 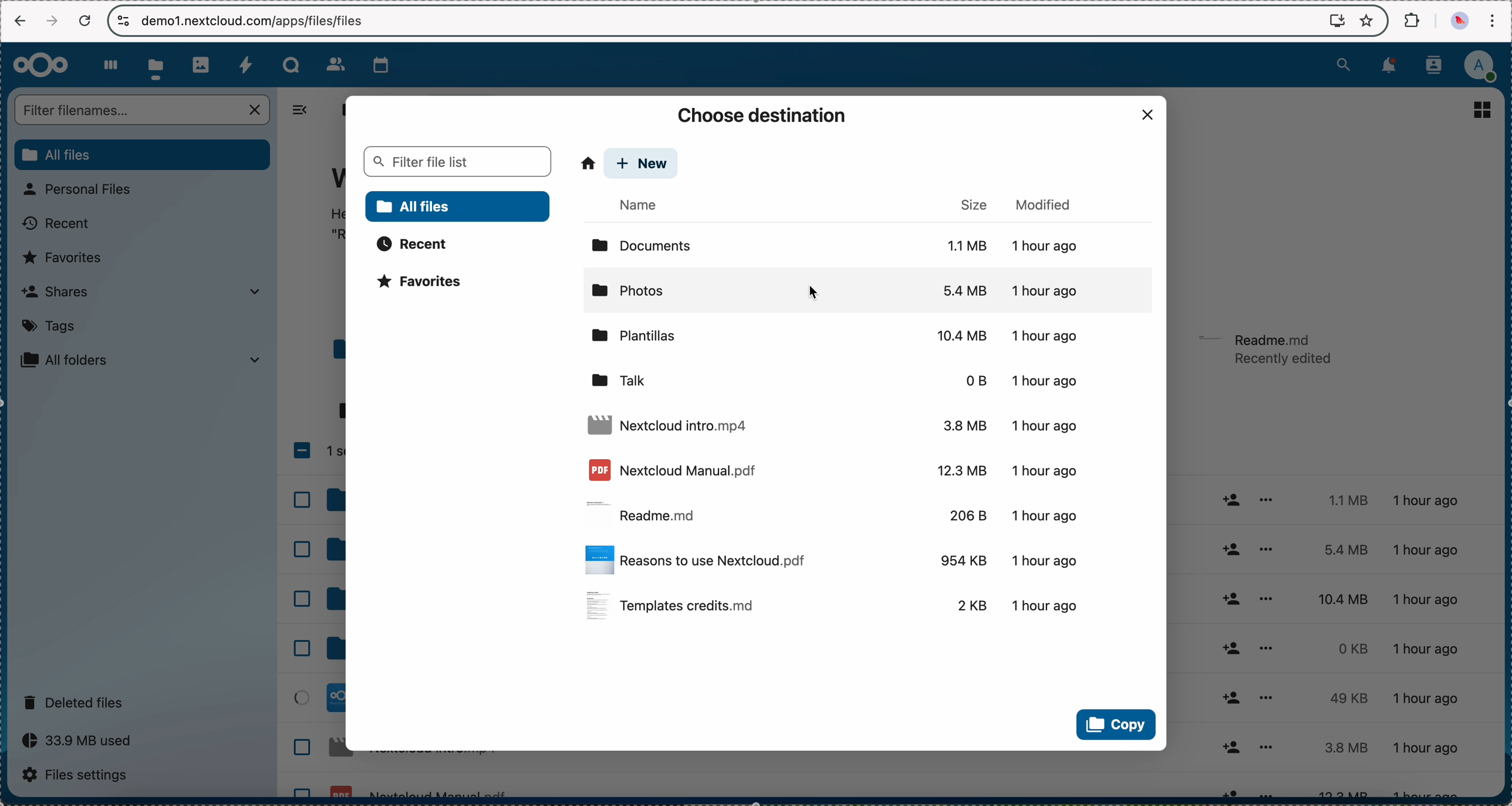 I want to click on 33.9 MB used, so click(x=81, y=740).